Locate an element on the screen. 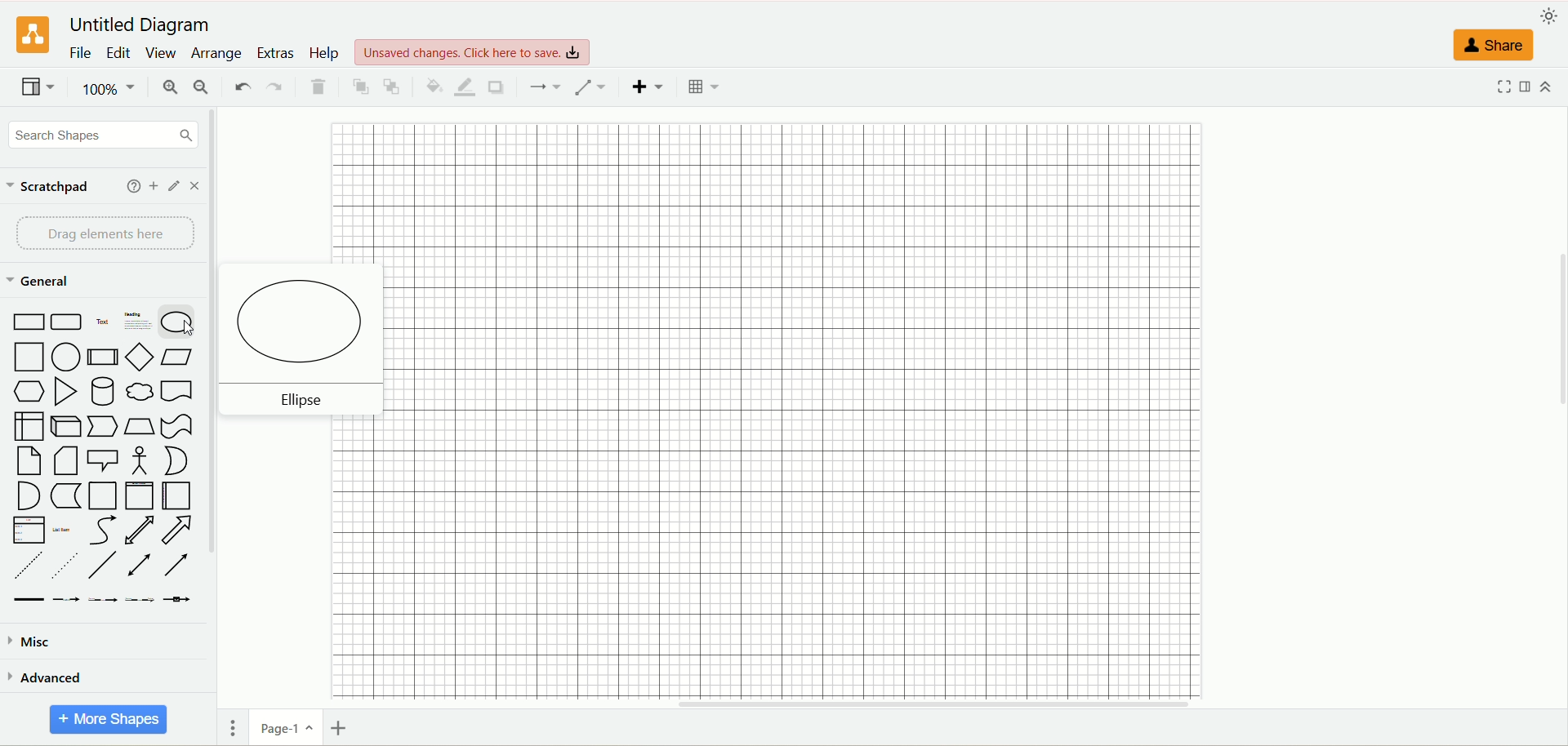  more shapes is located at coordinates (109, 720).